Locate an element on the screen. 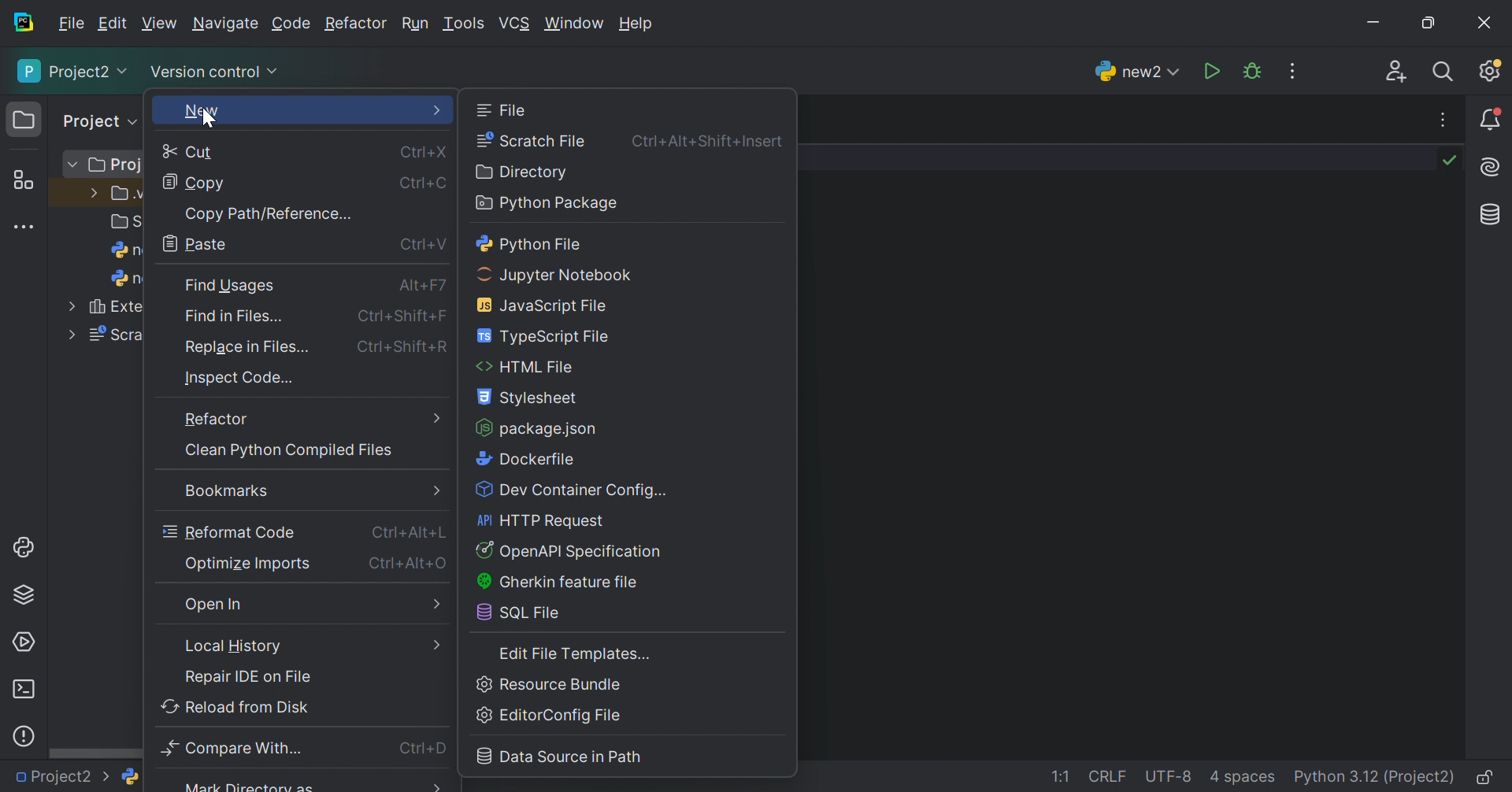 The height and width of the screenshot is (792, 1512). No problems found is located at coordinates (1449, 160).